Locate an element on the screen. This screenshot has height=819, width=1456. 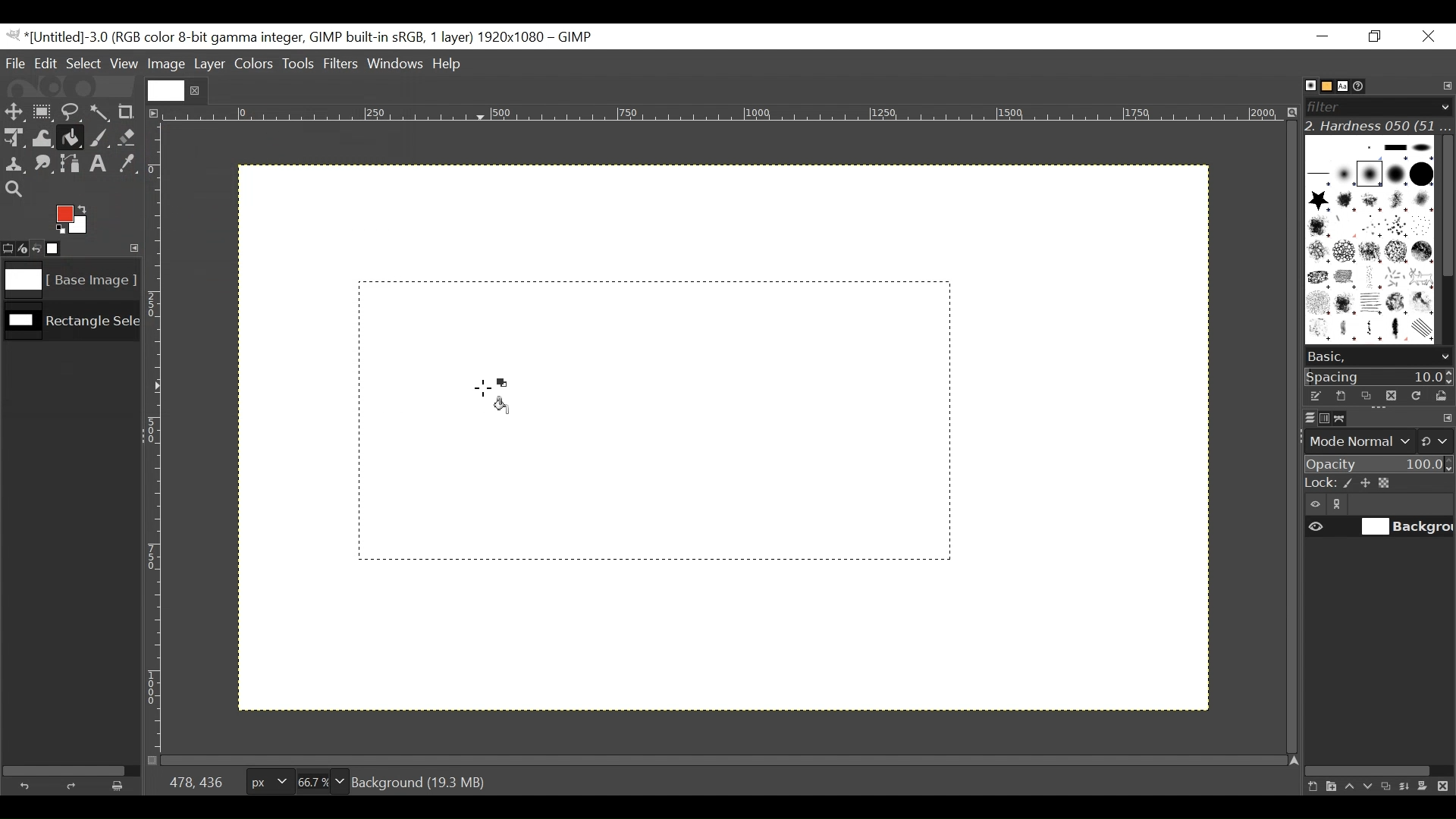
Vertical scroll bar is located at coordinates (1445, 204).